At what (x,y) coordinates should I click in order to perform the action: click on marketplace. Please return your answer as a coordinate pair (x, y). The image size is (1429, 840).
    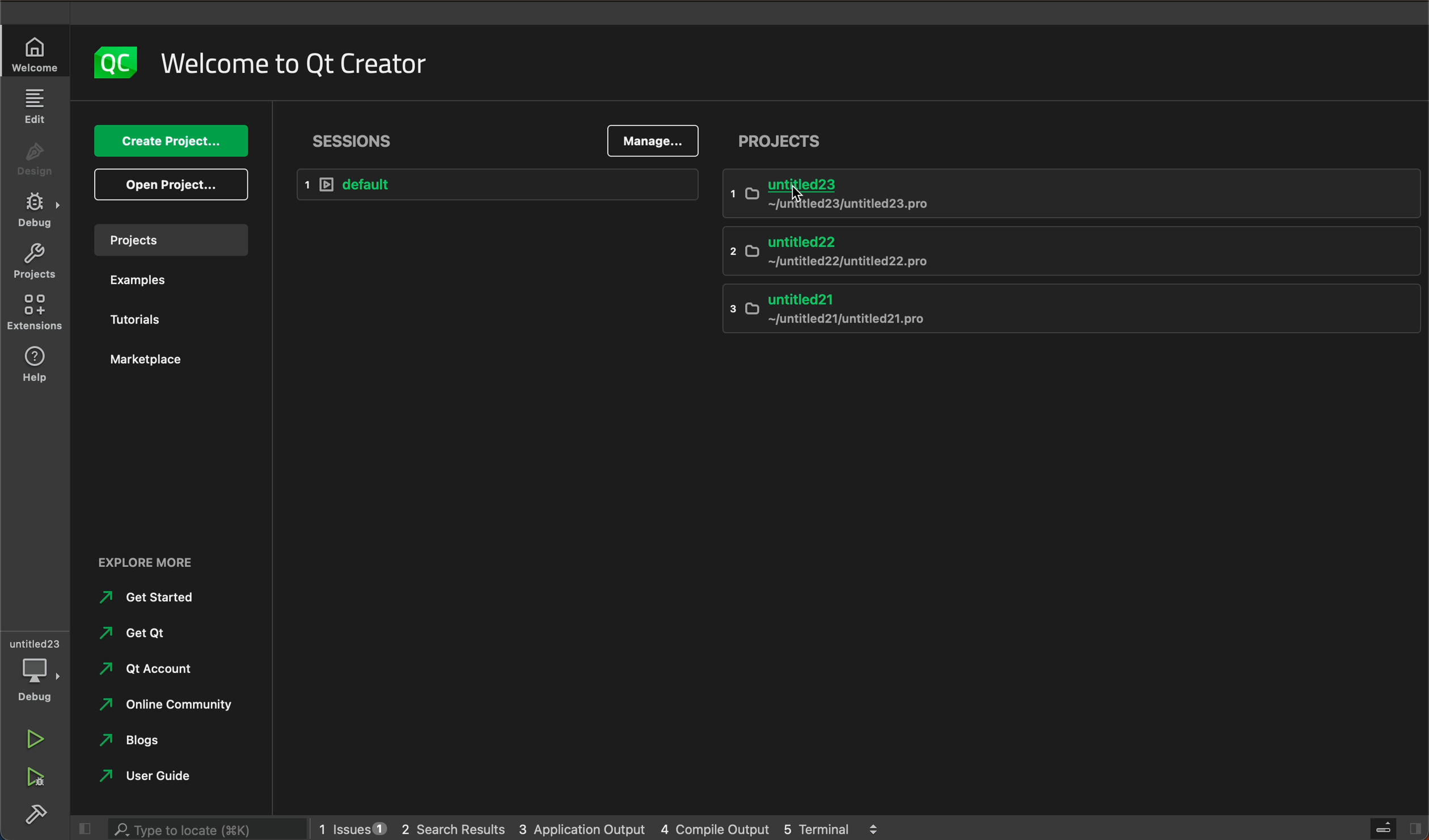
    Looking at the image, I should click on (145, 360).